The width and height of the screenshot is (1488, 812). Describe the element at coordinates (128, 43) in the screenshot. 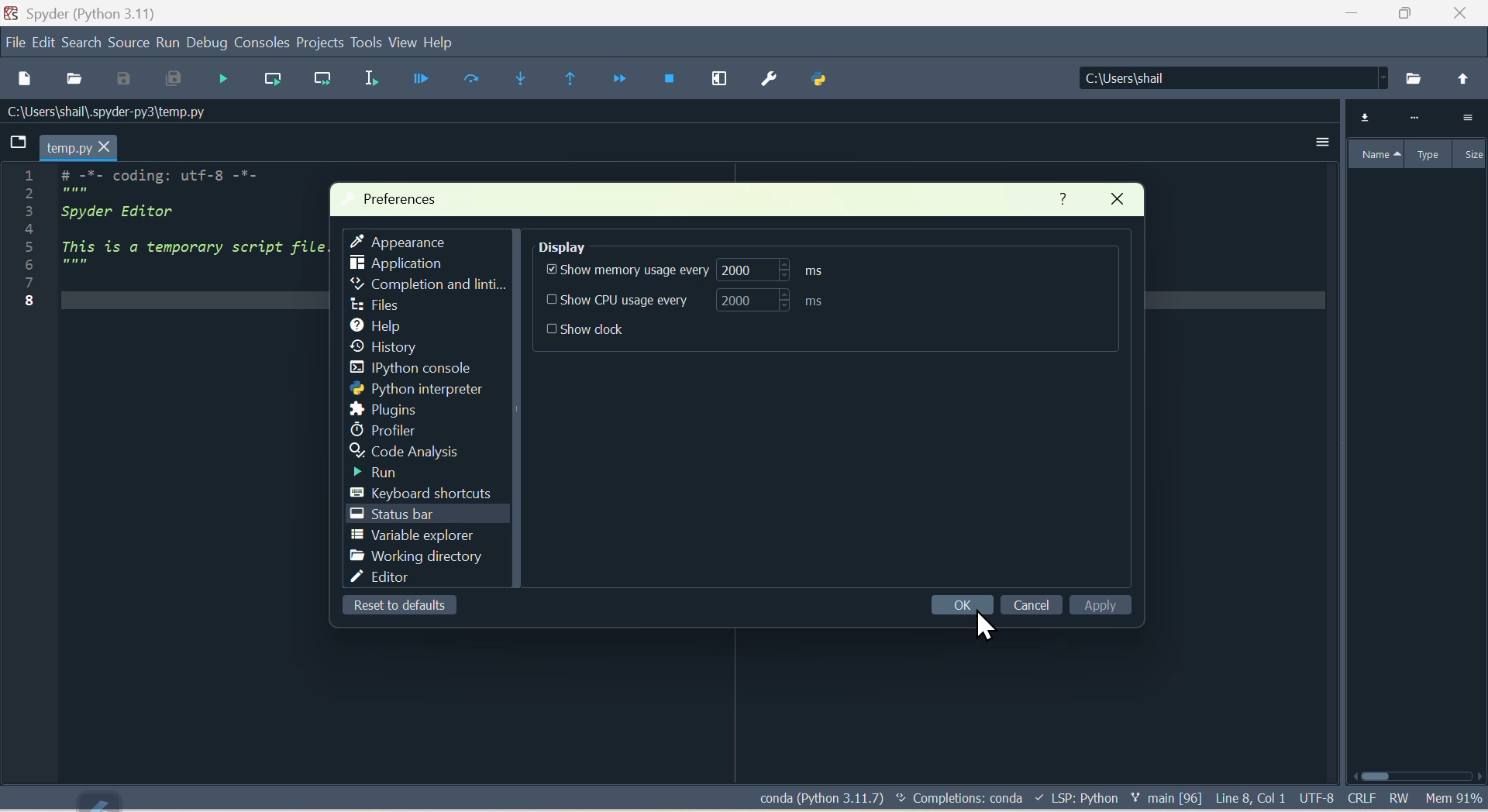

I see `Source` at that location.